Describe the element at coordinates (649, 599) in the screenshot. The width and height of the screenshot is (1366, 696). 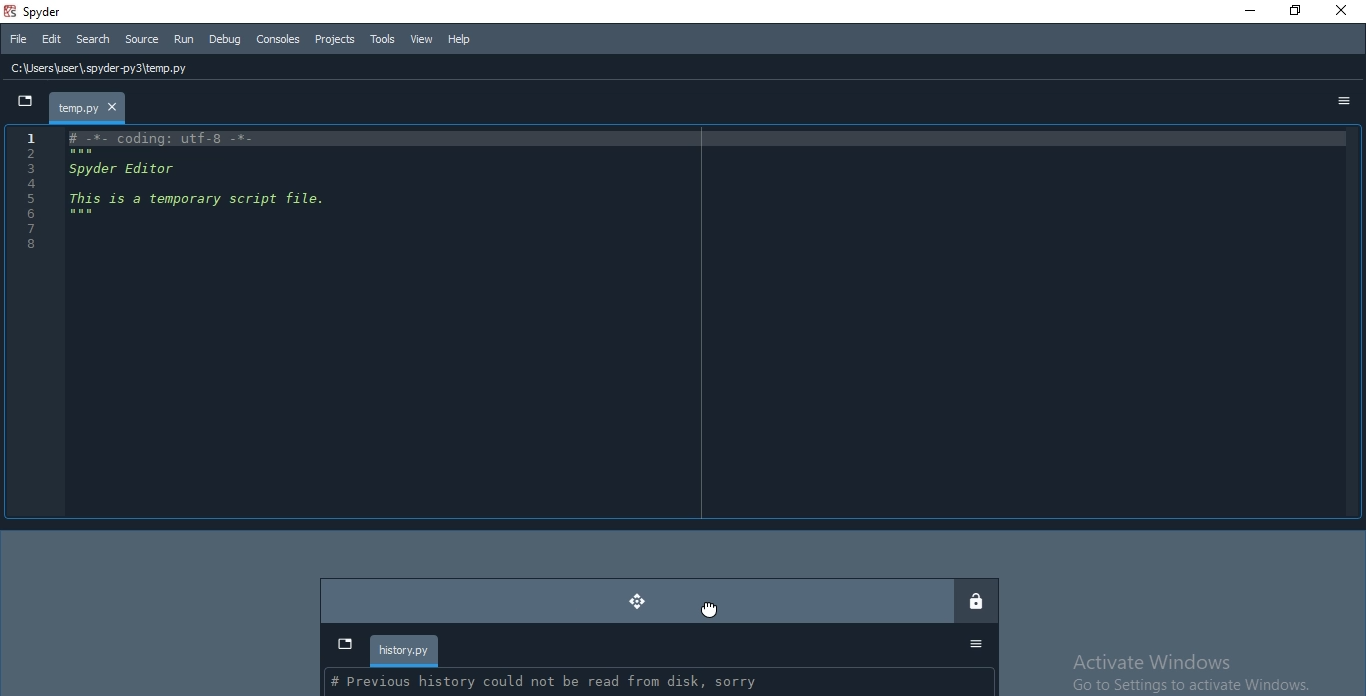
I see `moved dock` at that location.